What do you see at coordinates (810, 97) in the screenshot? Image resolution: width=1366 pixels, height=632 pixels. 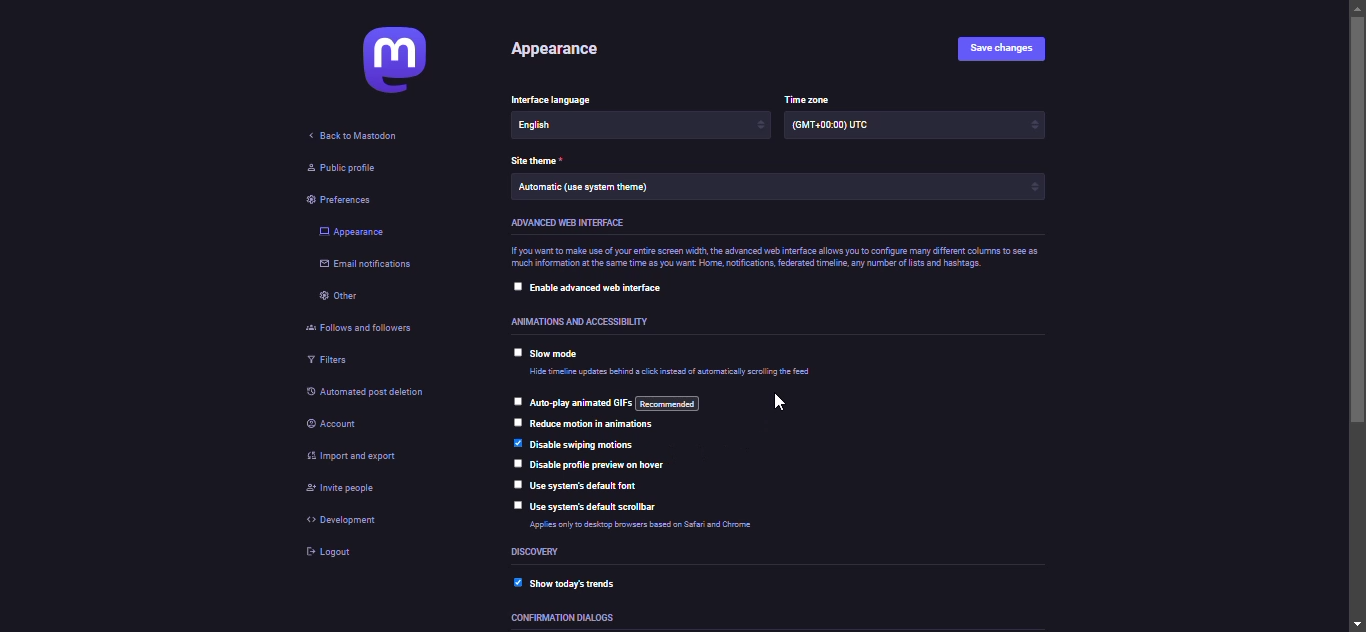 I see `time zone` at bounding box center [810, 97].